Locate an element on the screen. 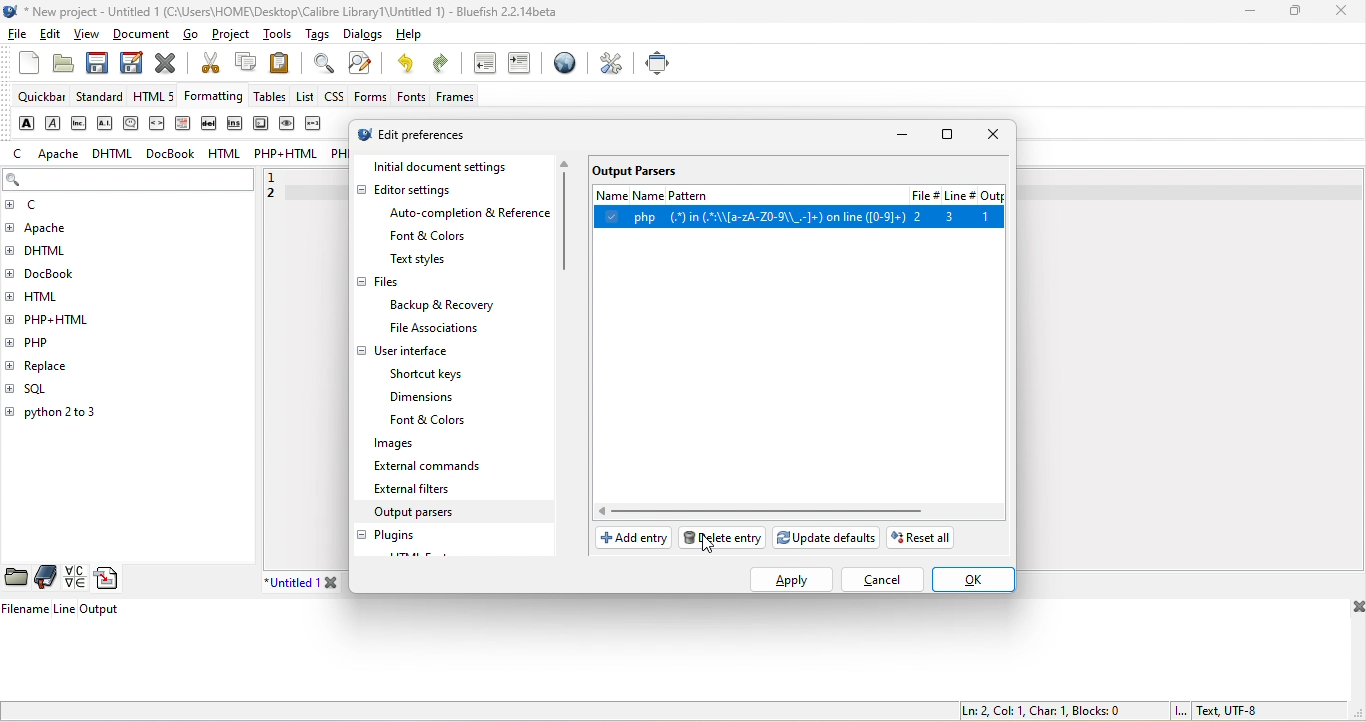 The width and height of the screenshot is (1366, 722). html 5 is located at coordinates (158, 98).